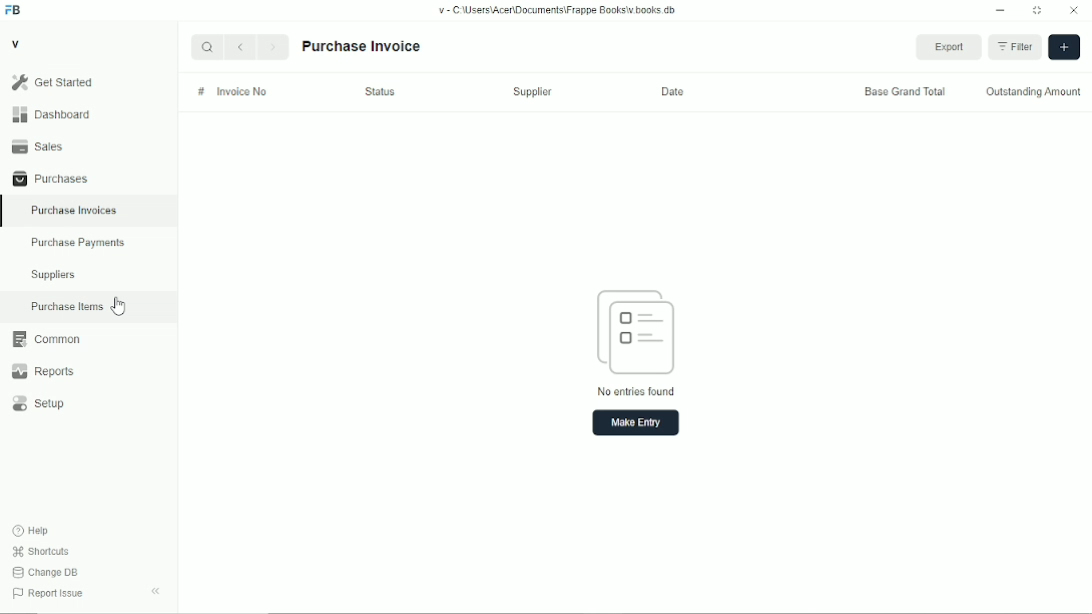 Image resolution: width=1092 pixels, height=614 pixels. Describe the element at coordinates (201, 92) in the screenshot. I see `#` at that location.